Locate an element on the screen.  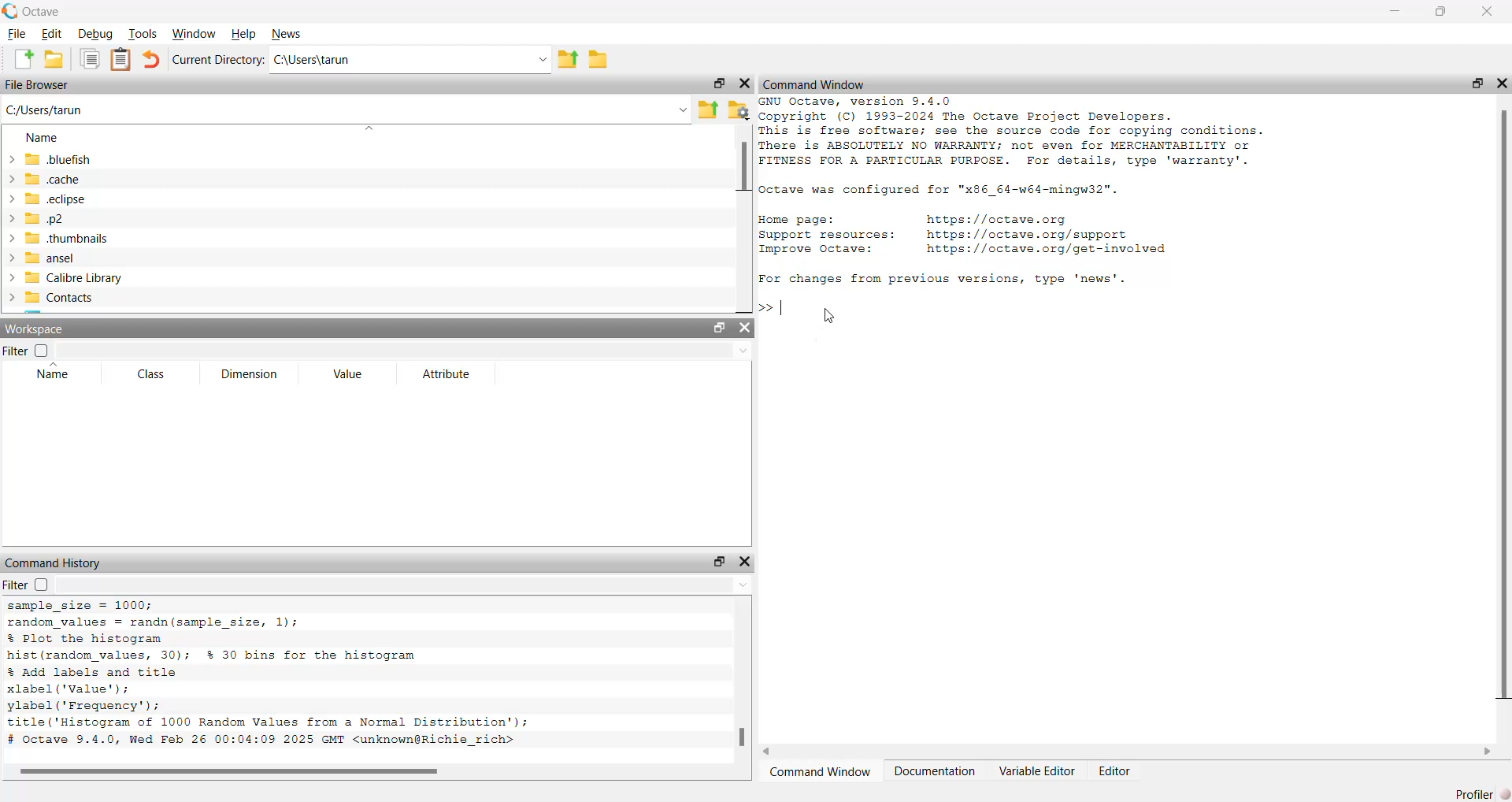
Improve Octave: is located at coordinates (816, 250).